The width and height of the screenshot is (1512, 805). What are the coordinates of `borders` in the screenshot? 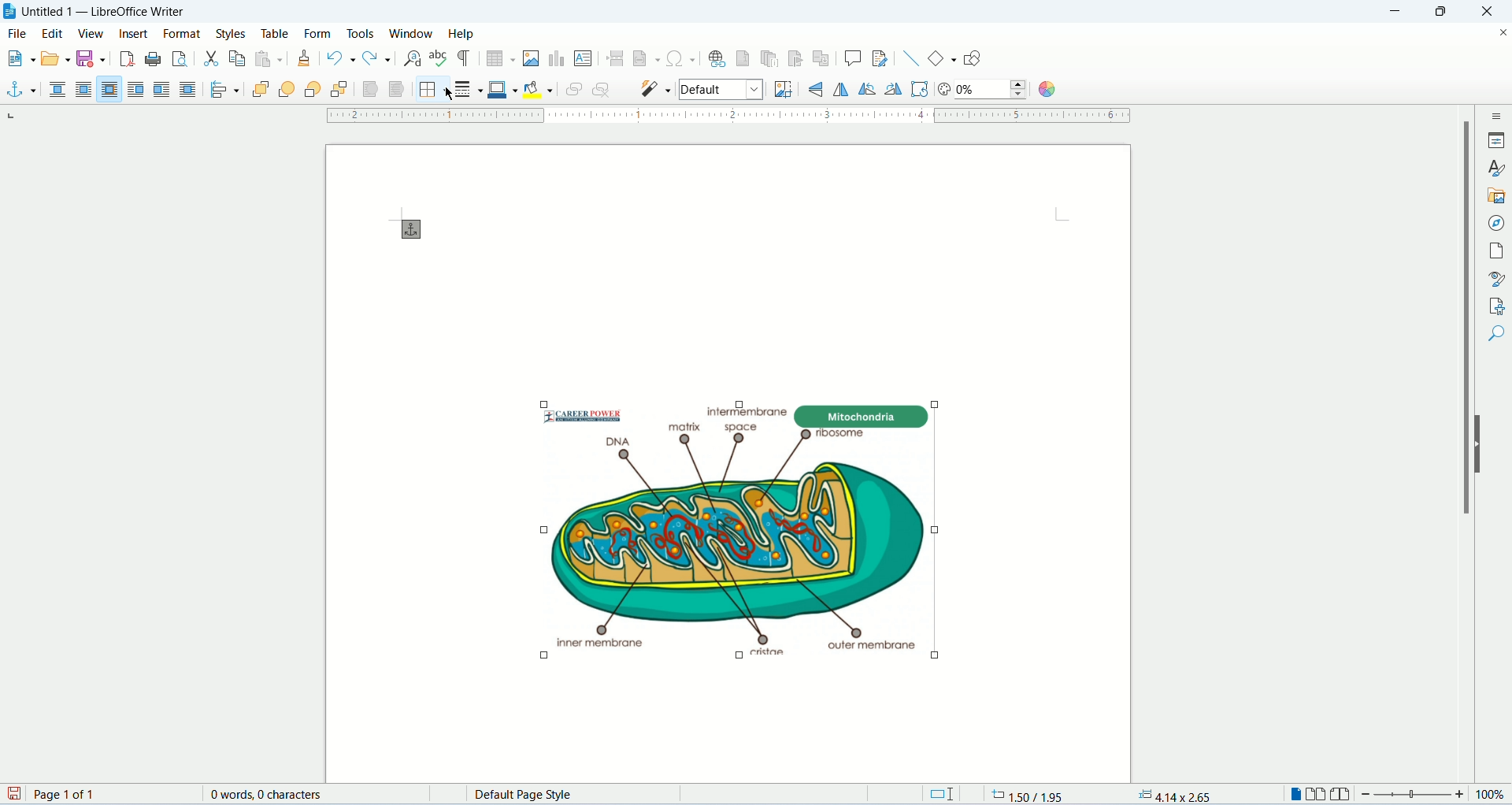 It's located at (433, 89).